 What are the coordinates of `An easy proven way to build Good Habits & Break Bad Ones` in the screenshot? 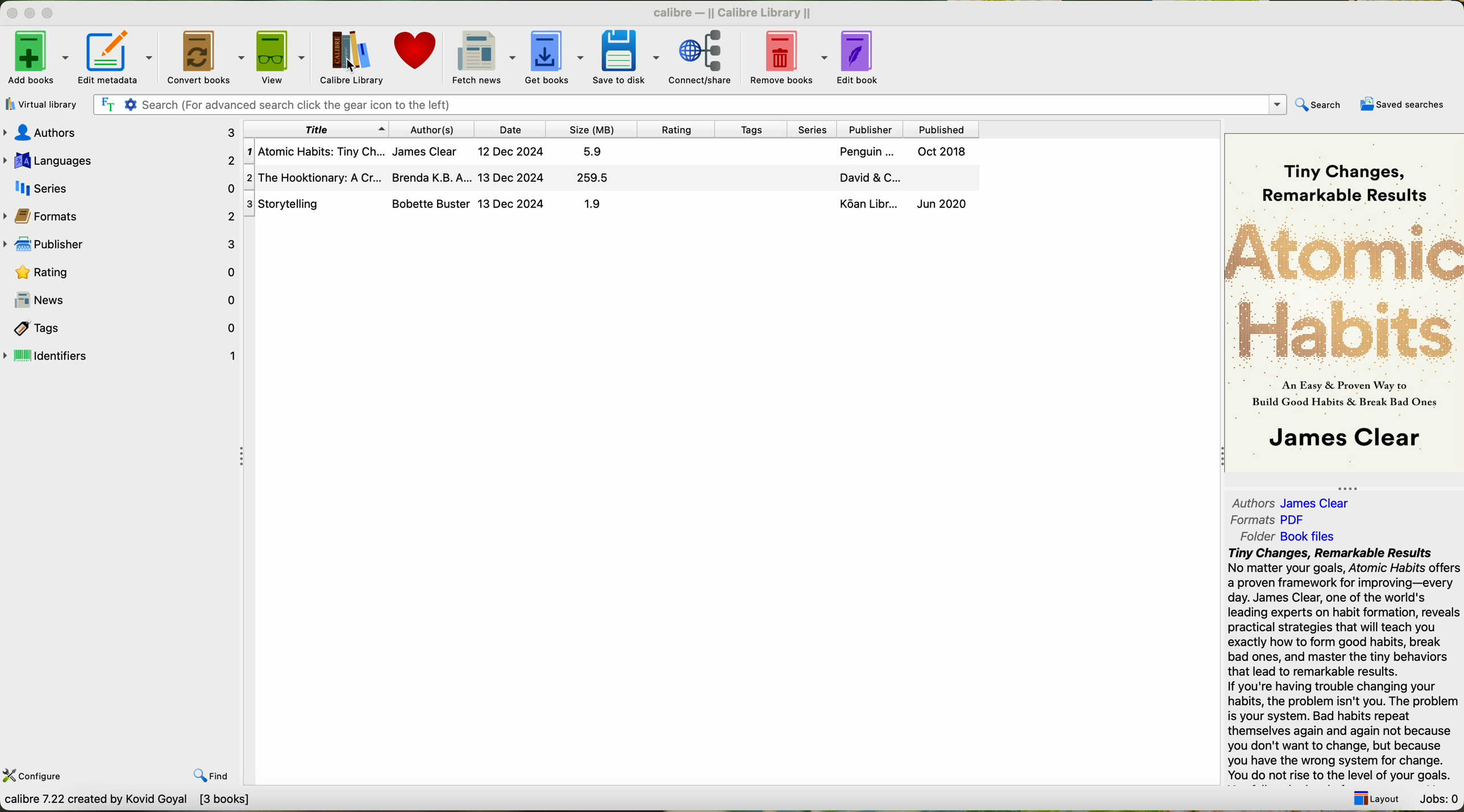 It's located at (1342, 398).